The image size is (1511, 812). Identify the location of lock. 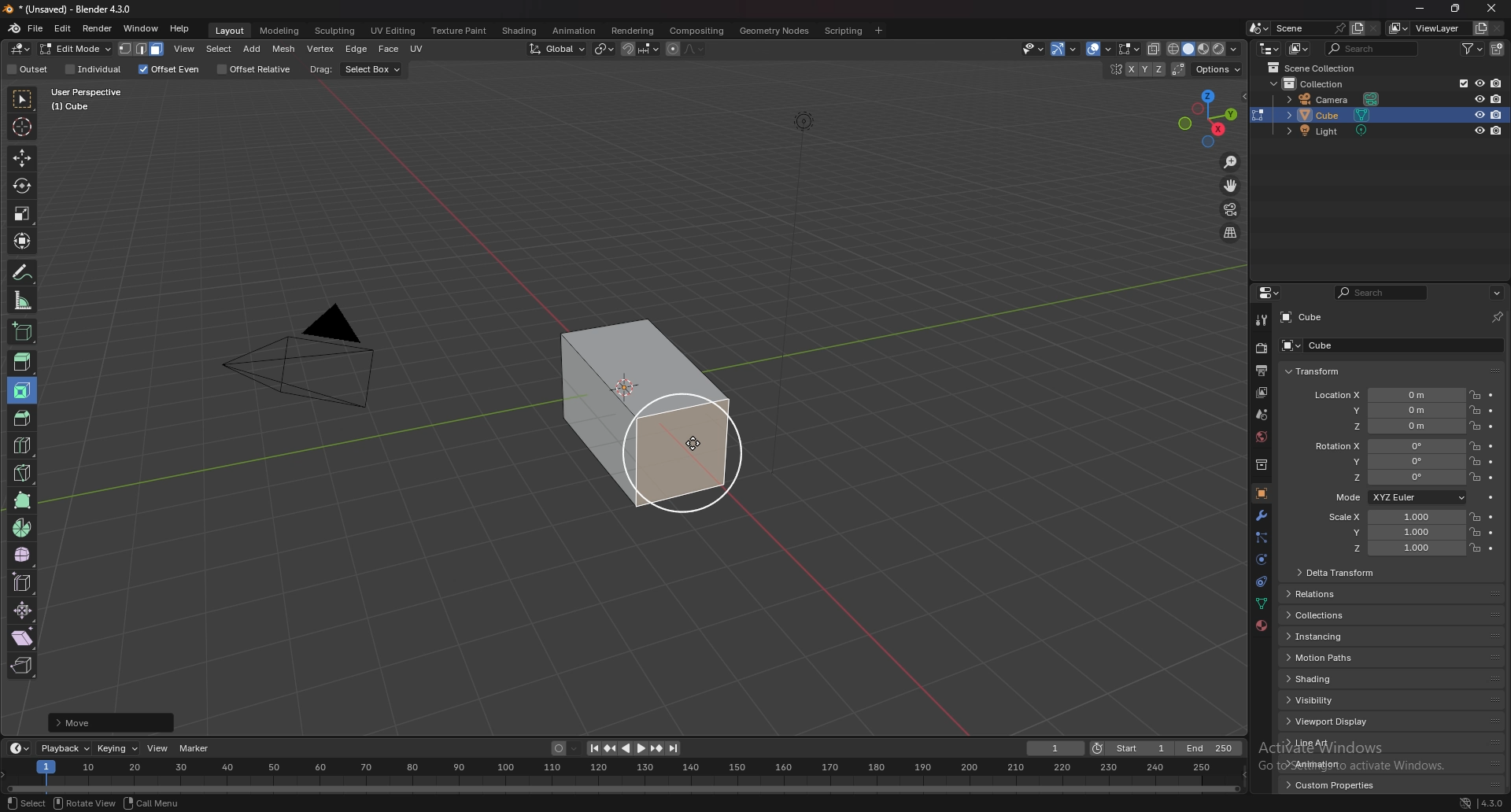
(1475, 426).